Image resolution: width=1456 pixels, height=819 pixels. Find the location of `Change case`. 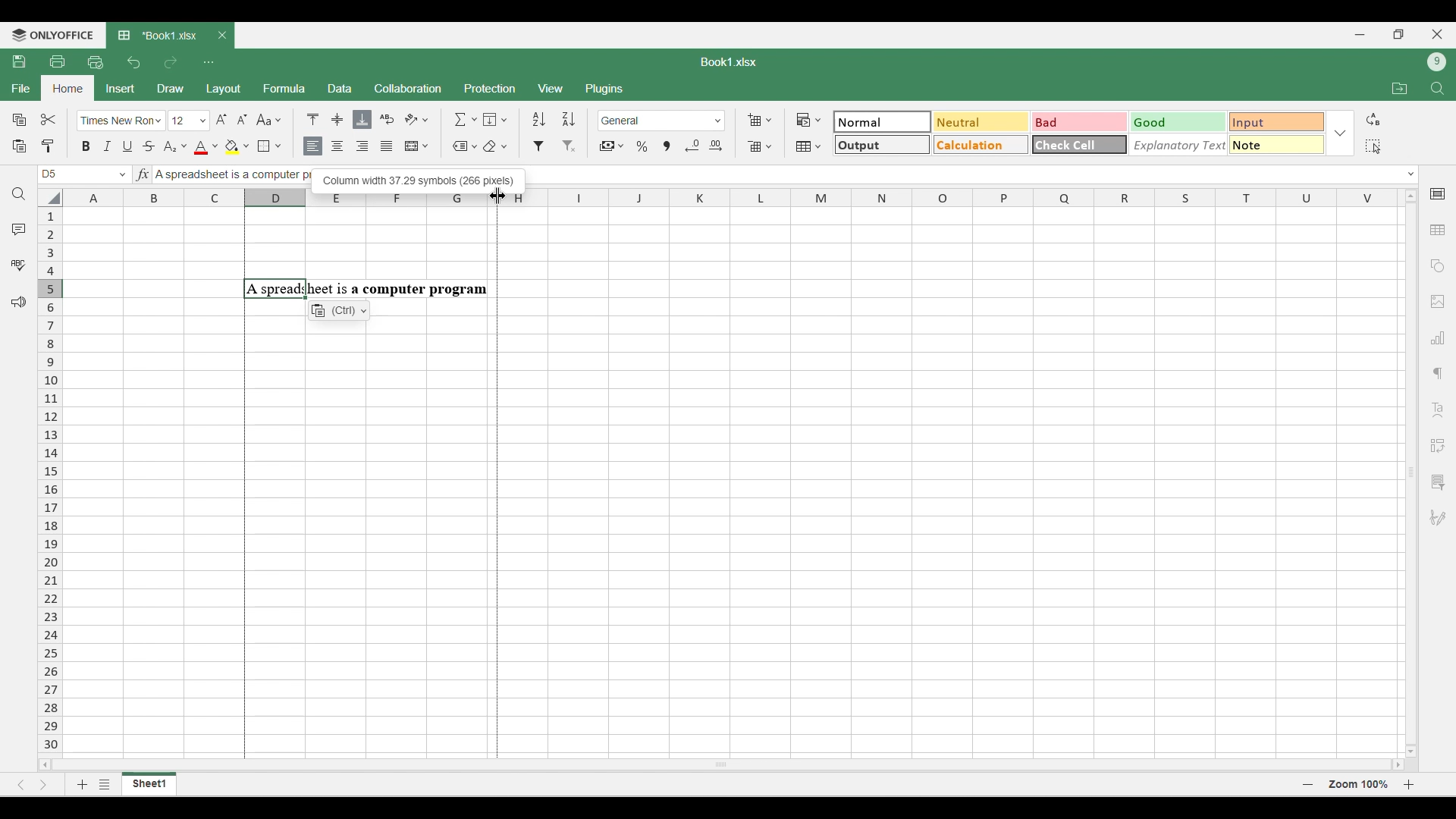

Change case is located at coordinates (268, 119).